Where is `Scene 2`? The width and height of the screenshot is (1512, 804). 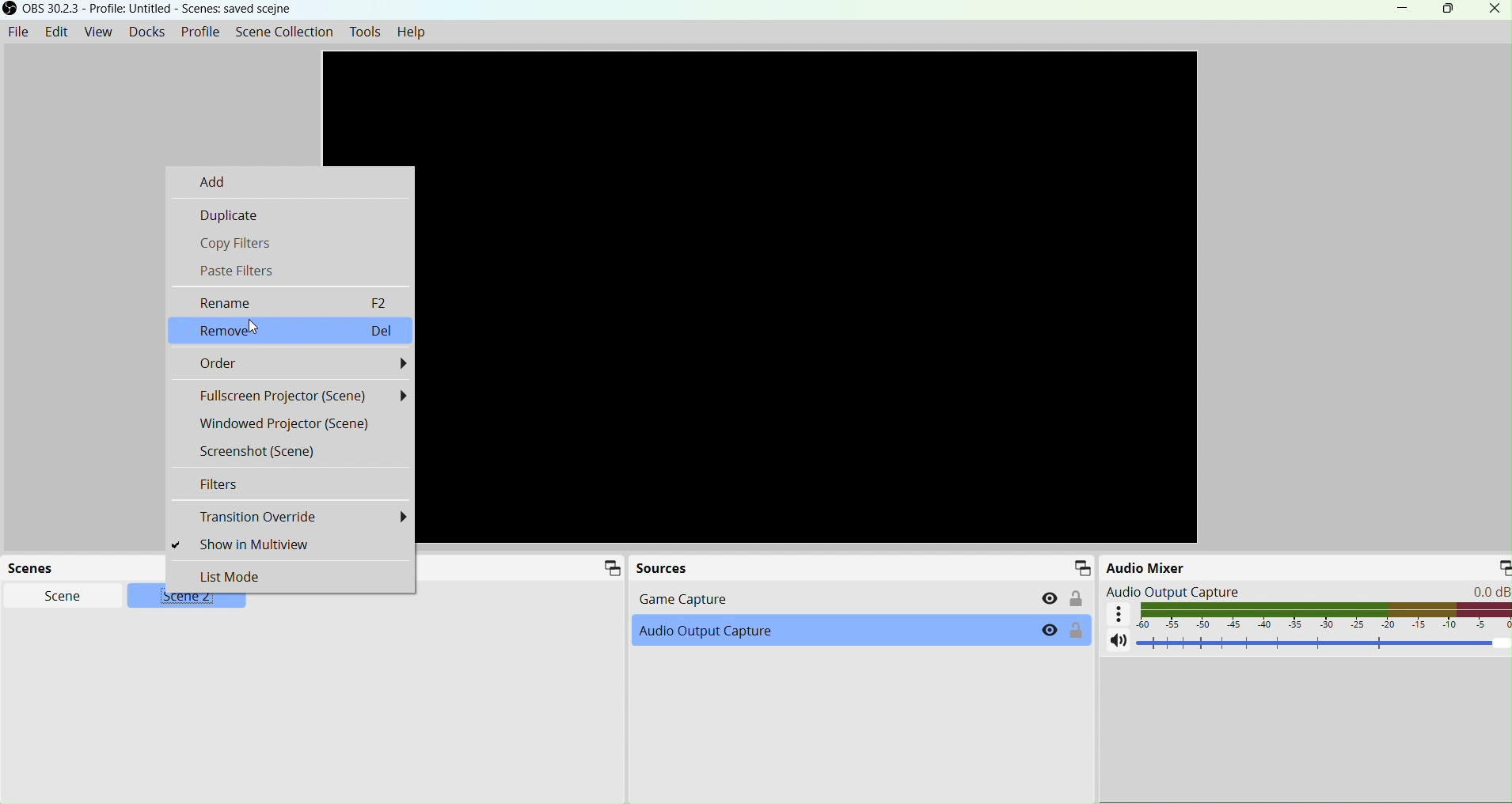
Scene 2 is located at coordinates (194, 600).